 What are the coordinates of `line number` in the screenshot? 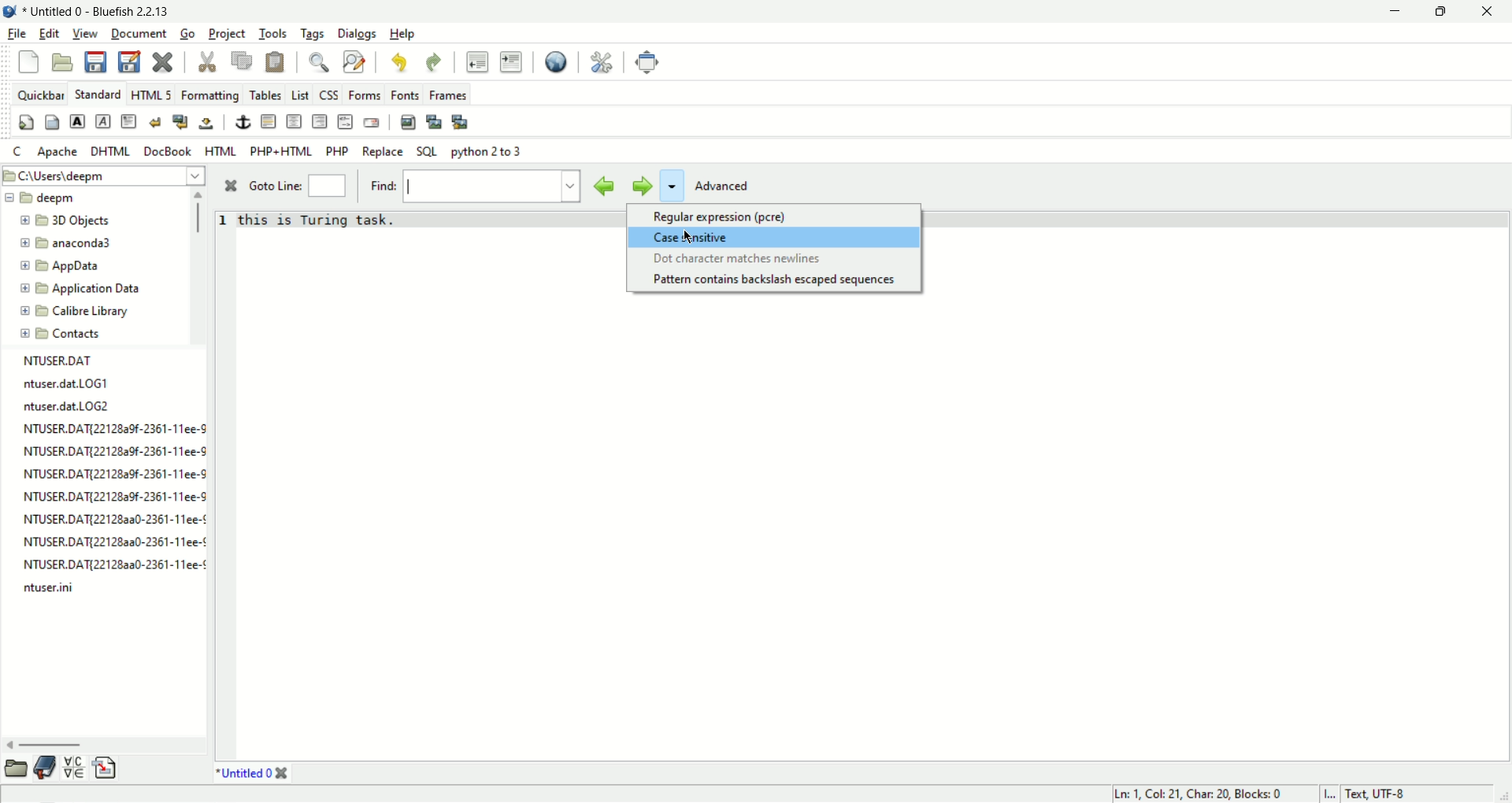 It's located at (225, 225).